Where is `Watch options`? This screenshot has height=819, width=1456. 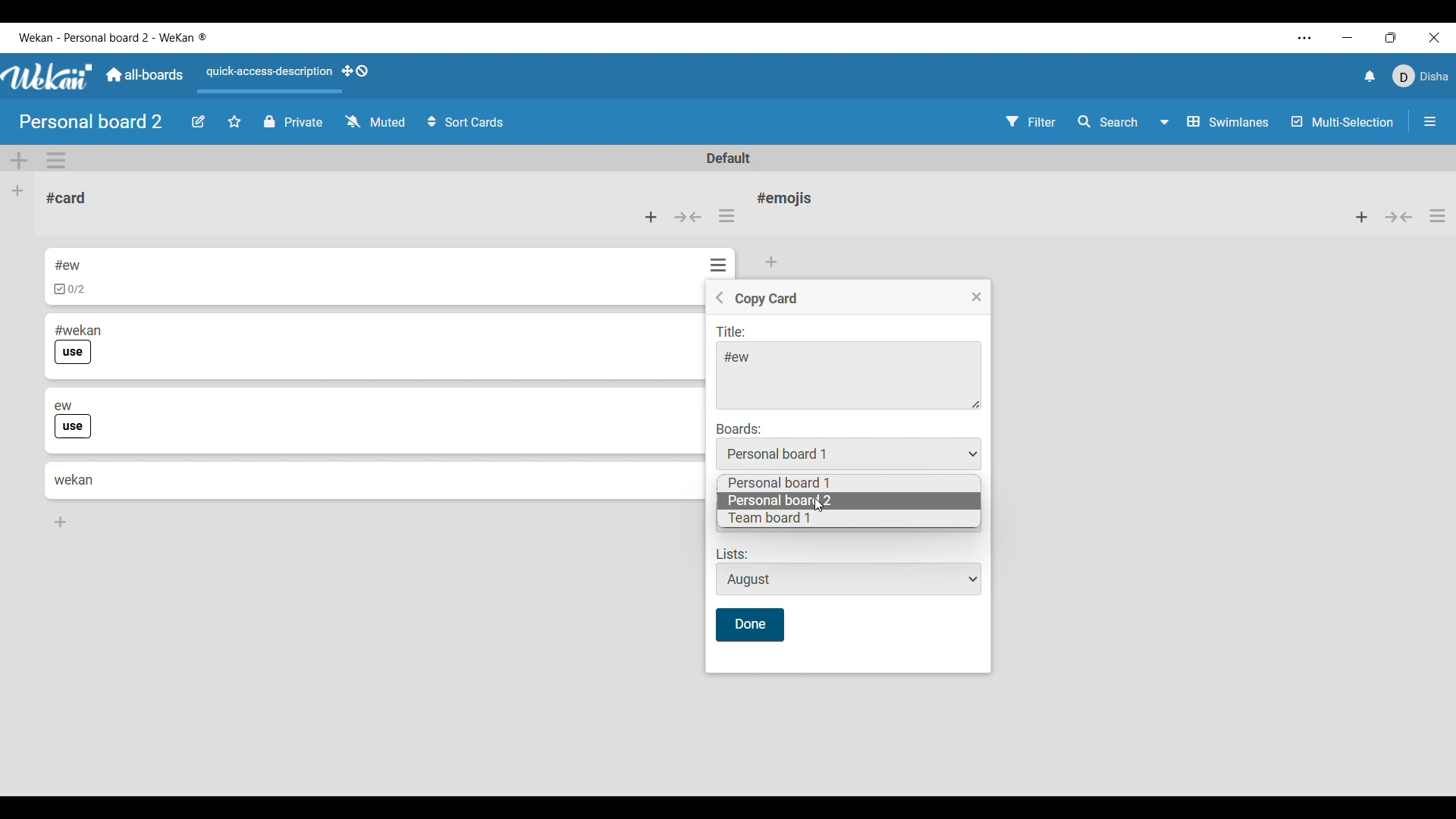
Watch options is located at coordinates (376, 121).